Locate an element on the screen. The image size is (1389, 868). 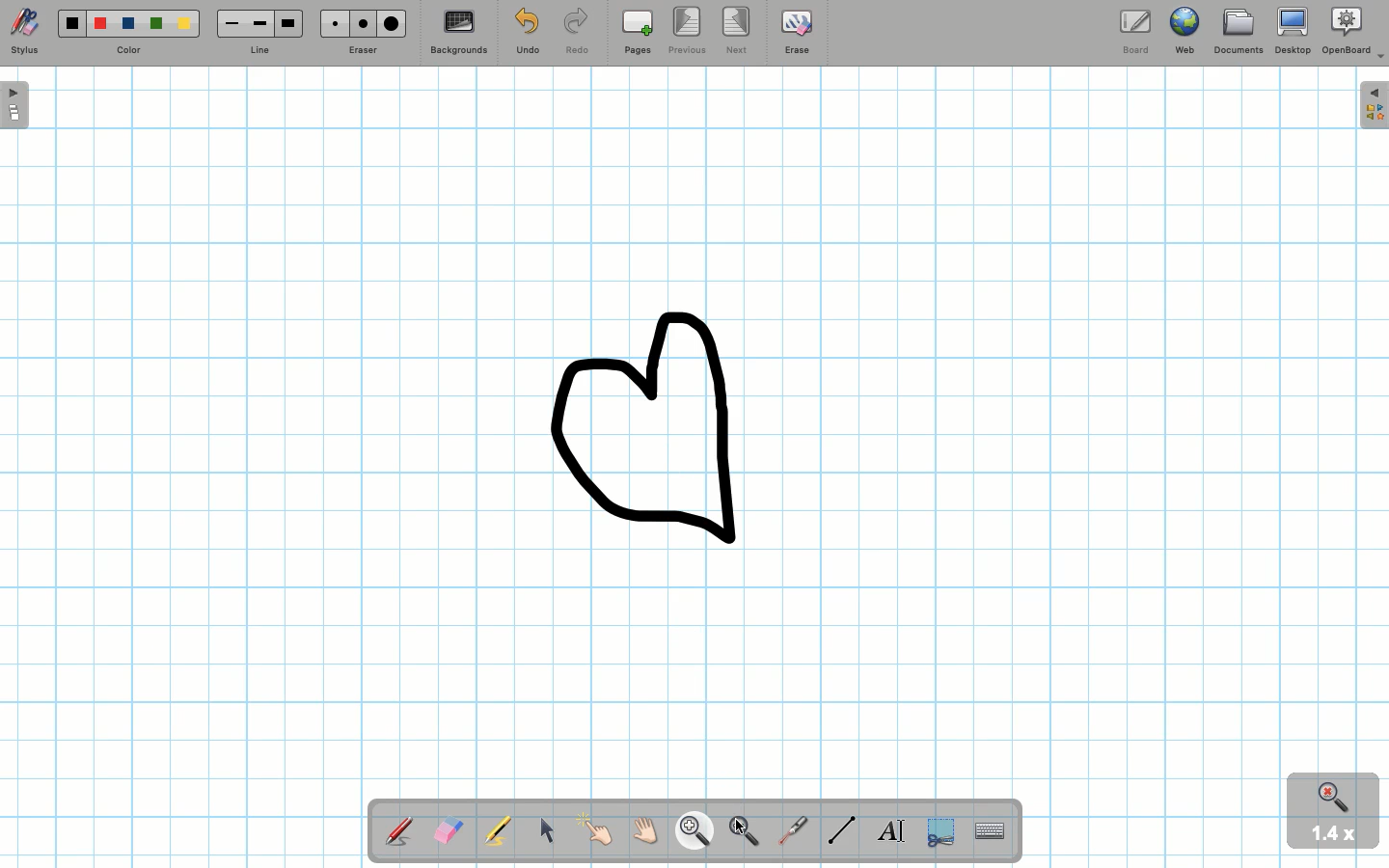
Zoom in is located at coordinates (1339, 796).